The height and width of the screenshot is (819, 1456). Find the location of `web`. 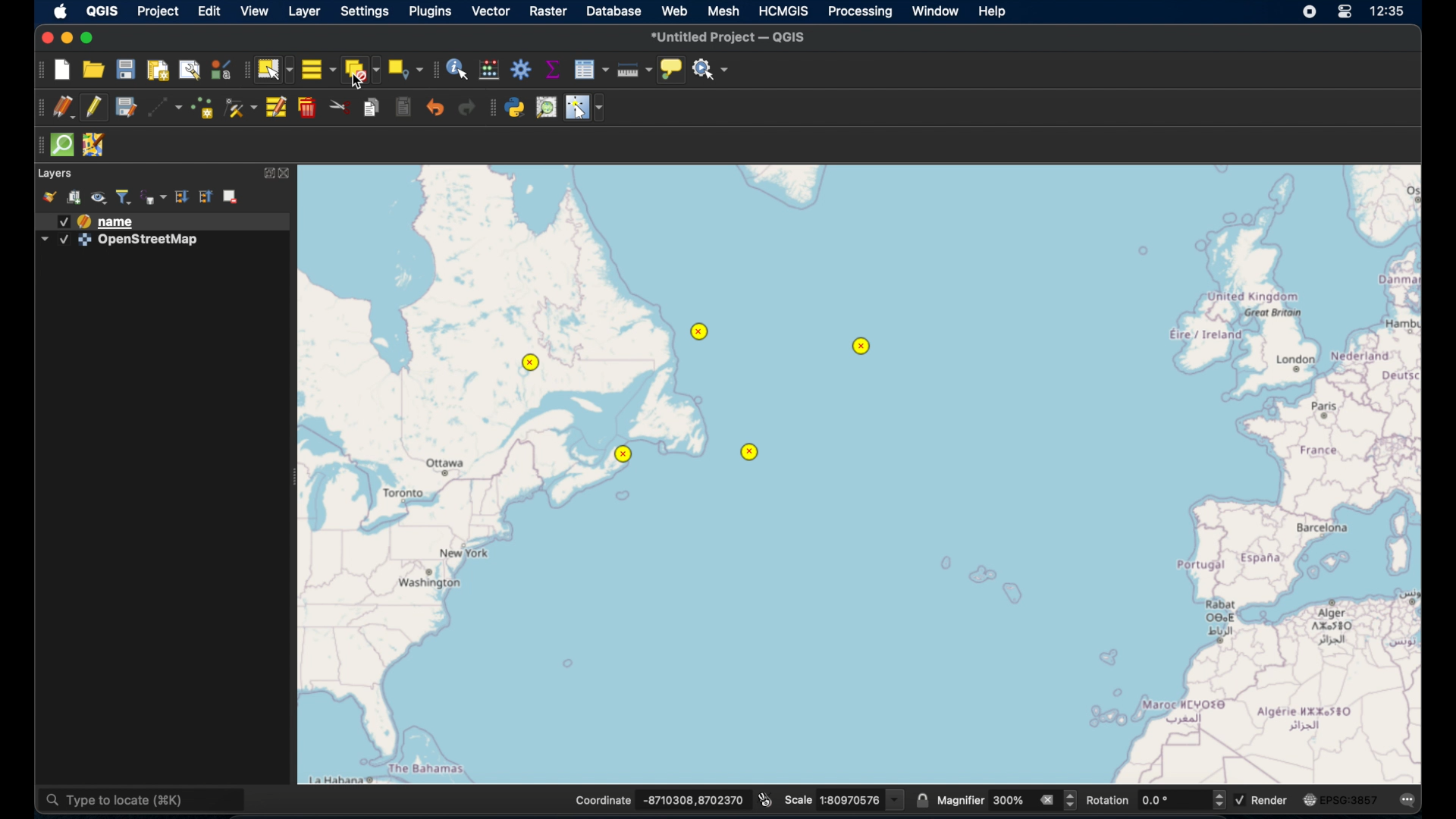

web is located at coordinates (675, 11).